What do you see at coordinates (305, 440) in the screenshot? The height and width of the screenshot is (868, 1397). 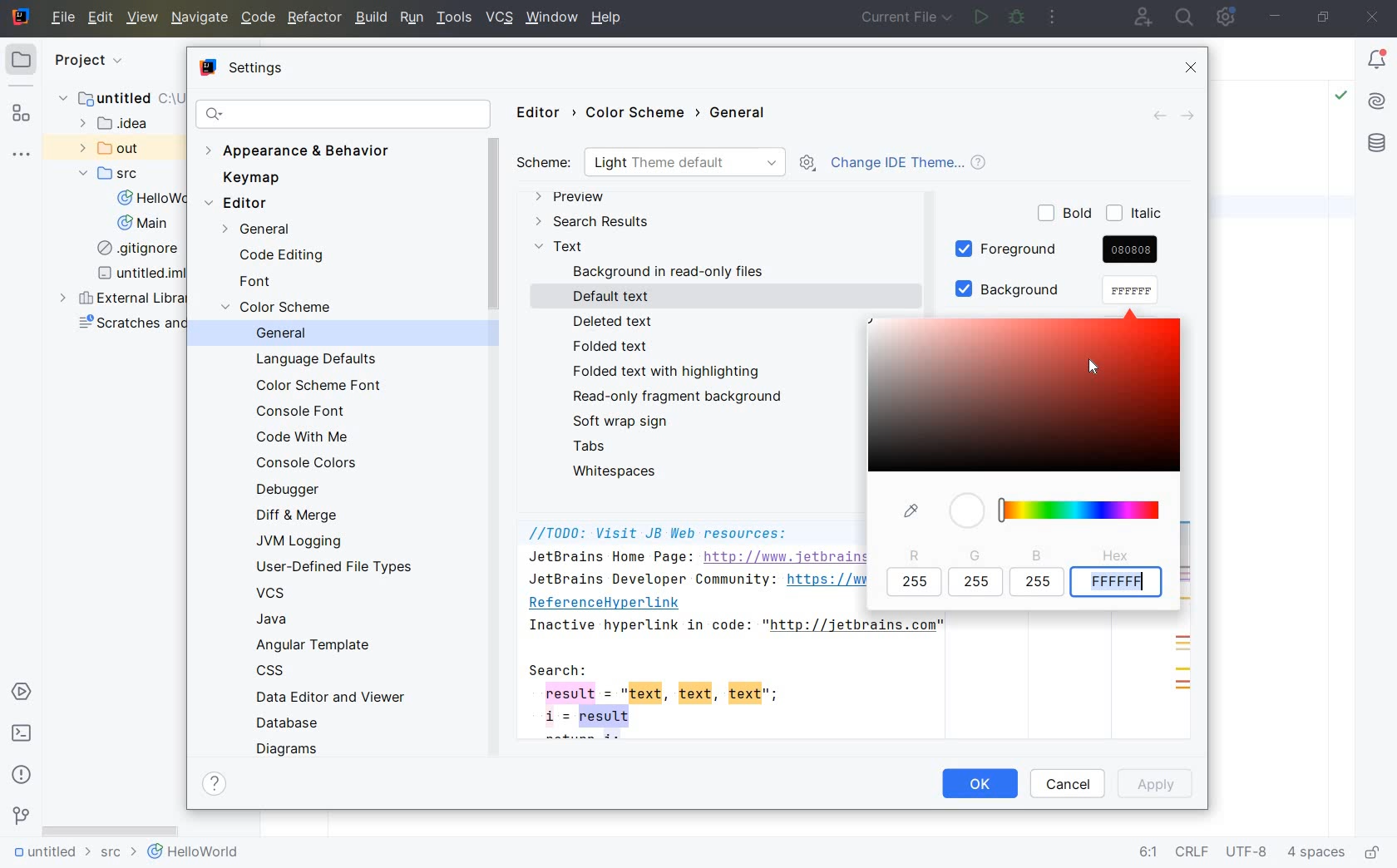 I see `CODE WITH ME` at bounding box center [305, 440].